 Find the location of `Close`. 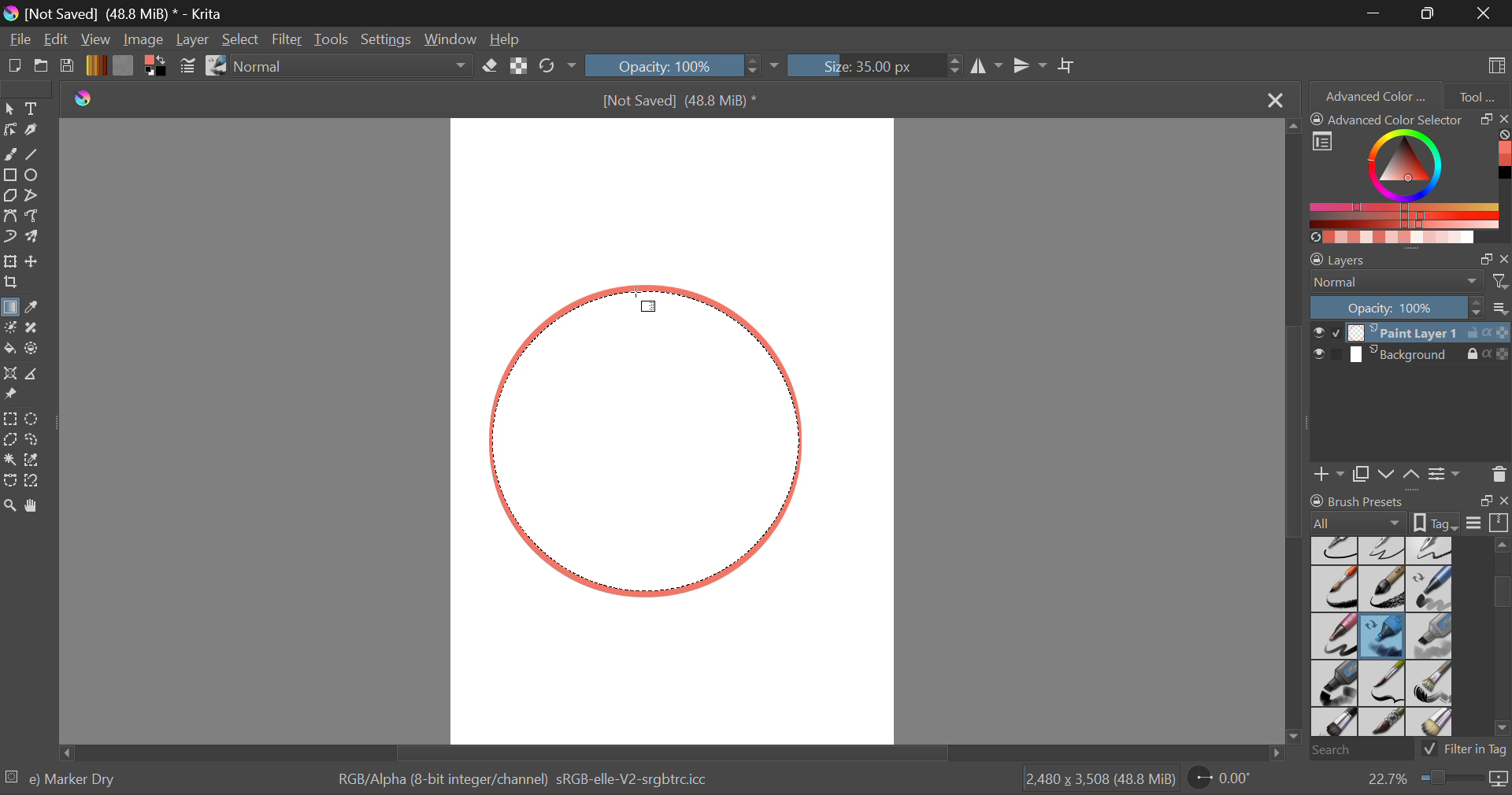

Close is located at coordinates (1273, 101).